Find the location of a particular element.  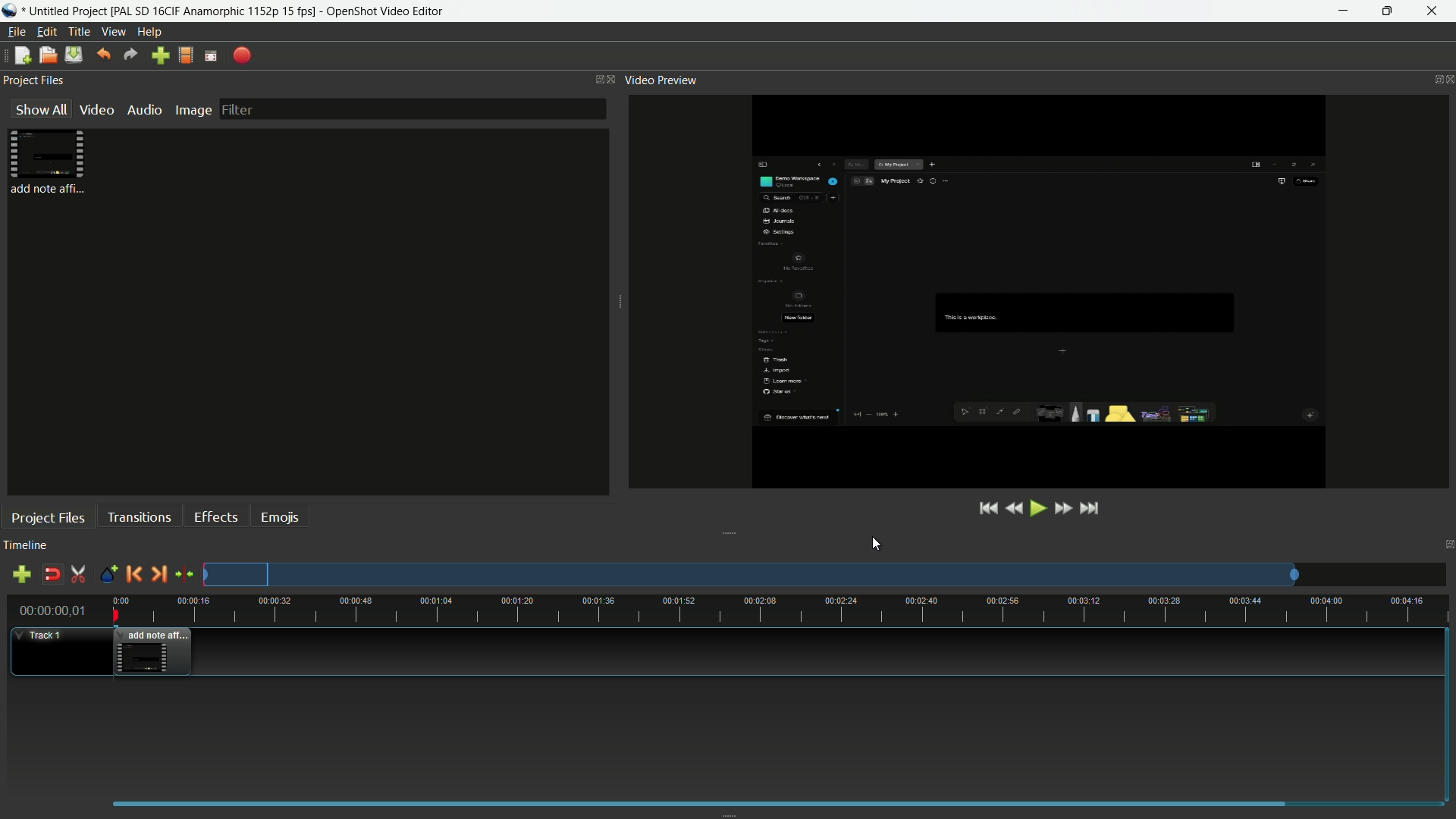

import files is located at coordinates (160, 56).